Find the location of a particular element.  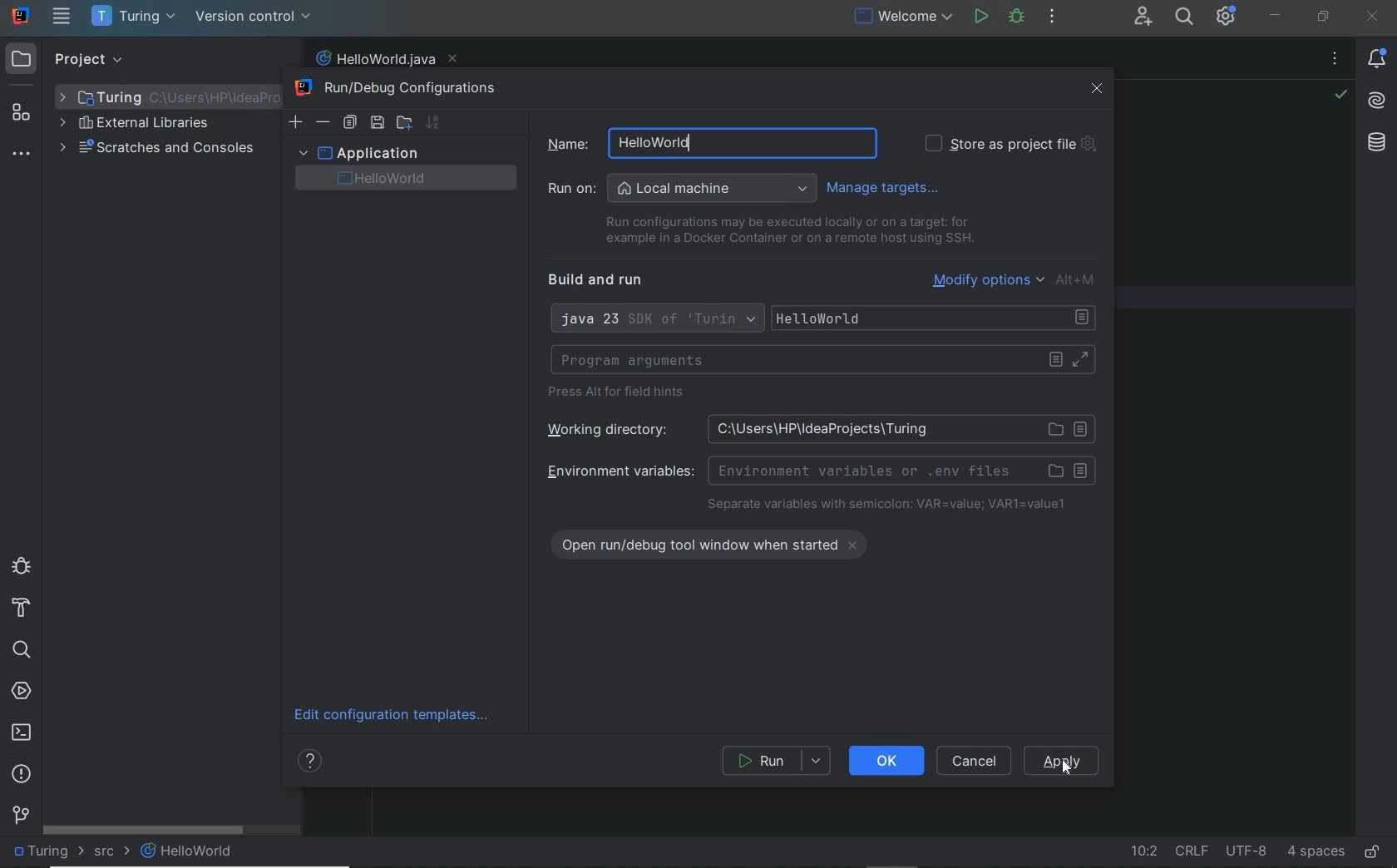

java 23 is located at coordinates (655, 320).